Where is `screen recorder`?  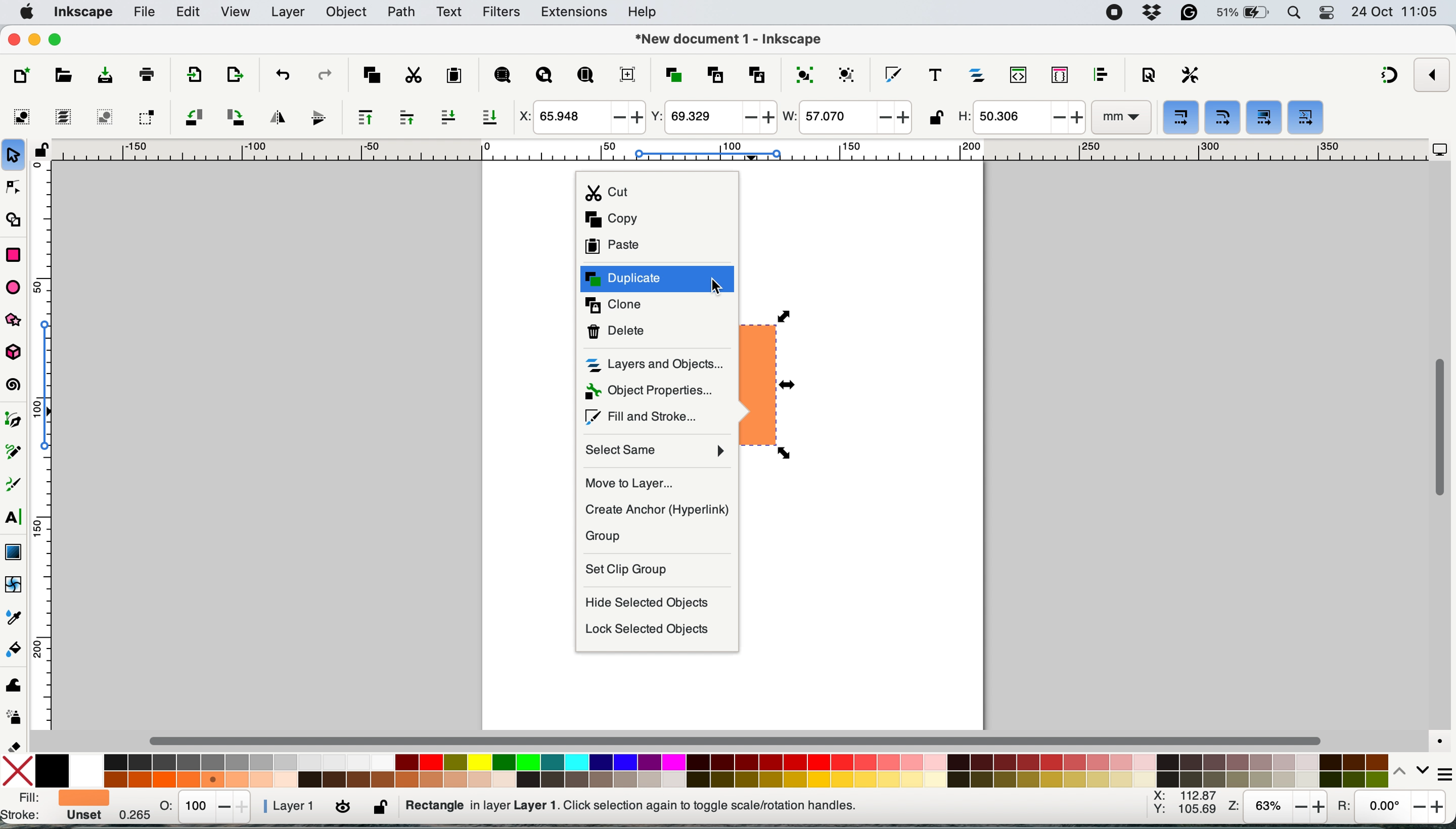
screen recorder is located at coordinates (1114, 13).